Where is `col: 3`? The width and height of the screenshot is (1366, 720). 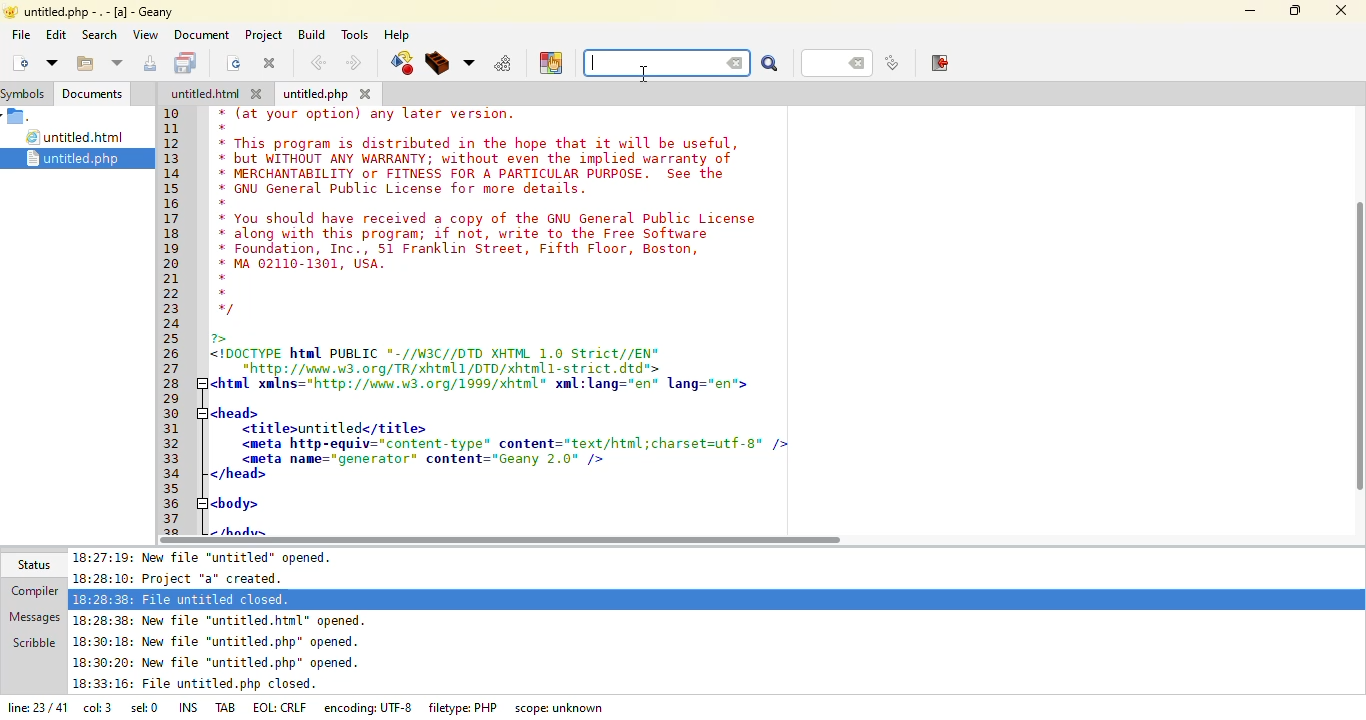
col: 3 is located at coordinates (97, 710).